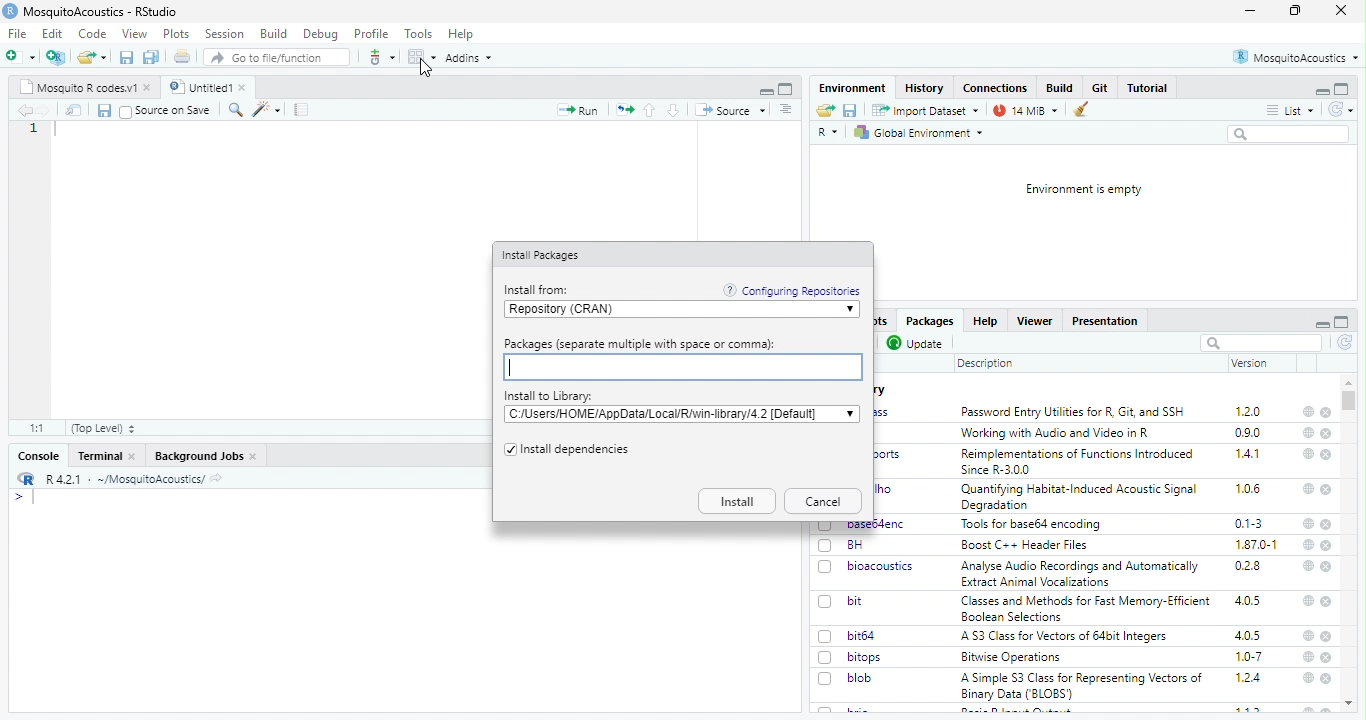 The image size is (1366, 720). Describe the element at coordinates (45, 111) in the screenshot. I see `forward` at that location.